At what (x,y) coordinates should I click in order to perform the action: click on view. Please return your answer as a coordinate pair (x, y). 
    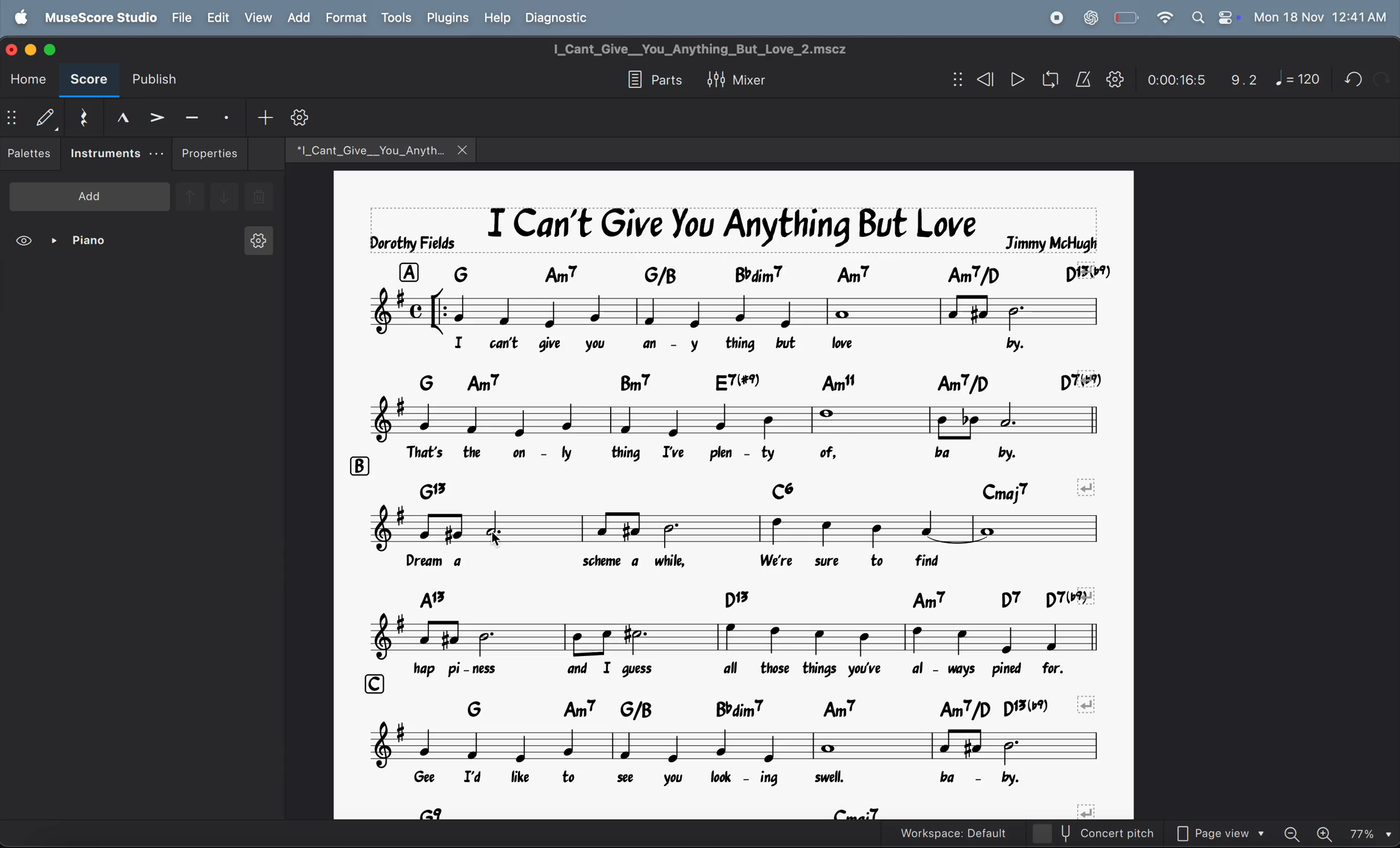
    Looking at the image, I should click on (23, 239).